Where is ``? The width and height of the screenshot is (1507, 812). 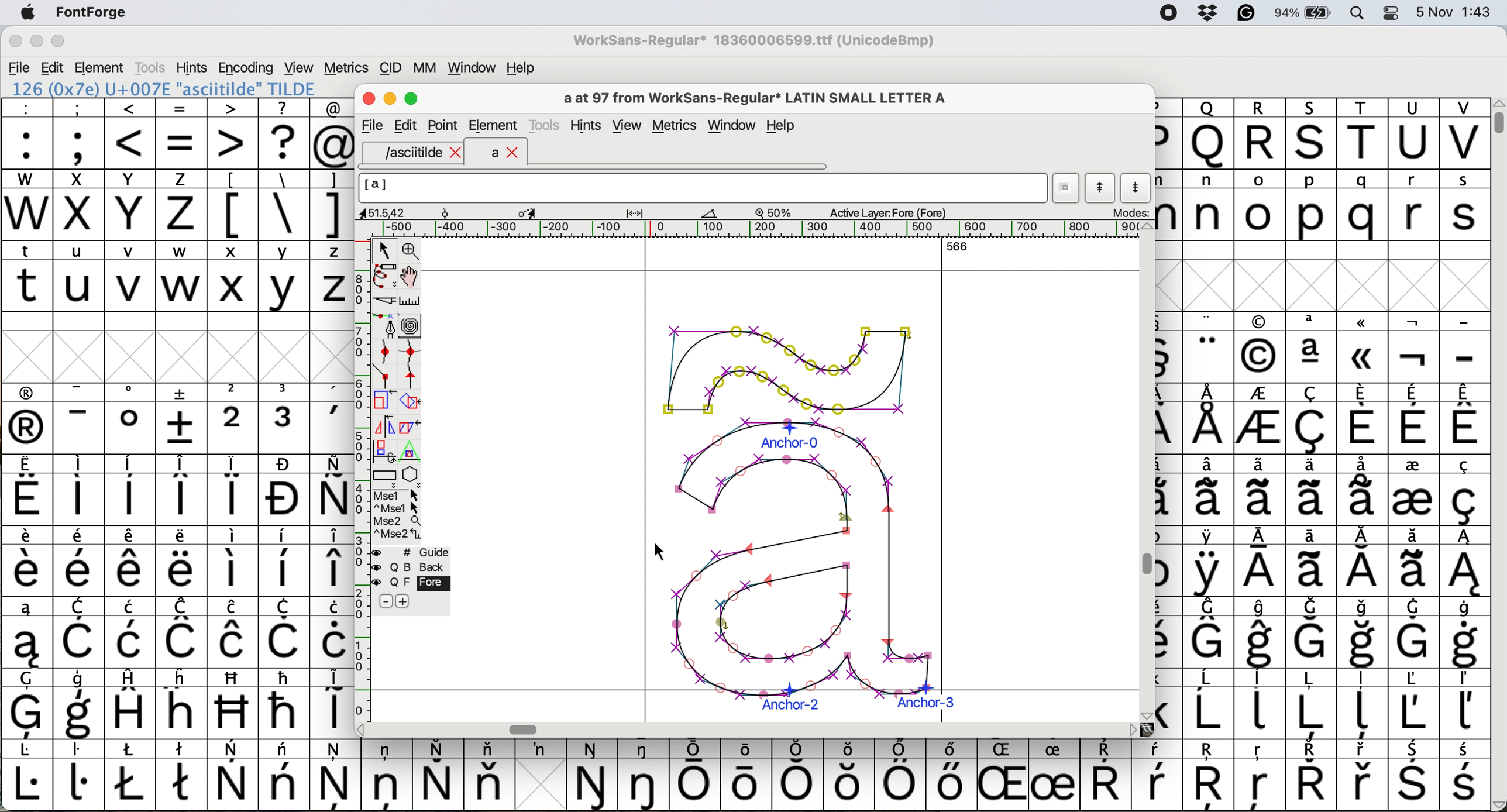  is located at coordinates (1261, 776).